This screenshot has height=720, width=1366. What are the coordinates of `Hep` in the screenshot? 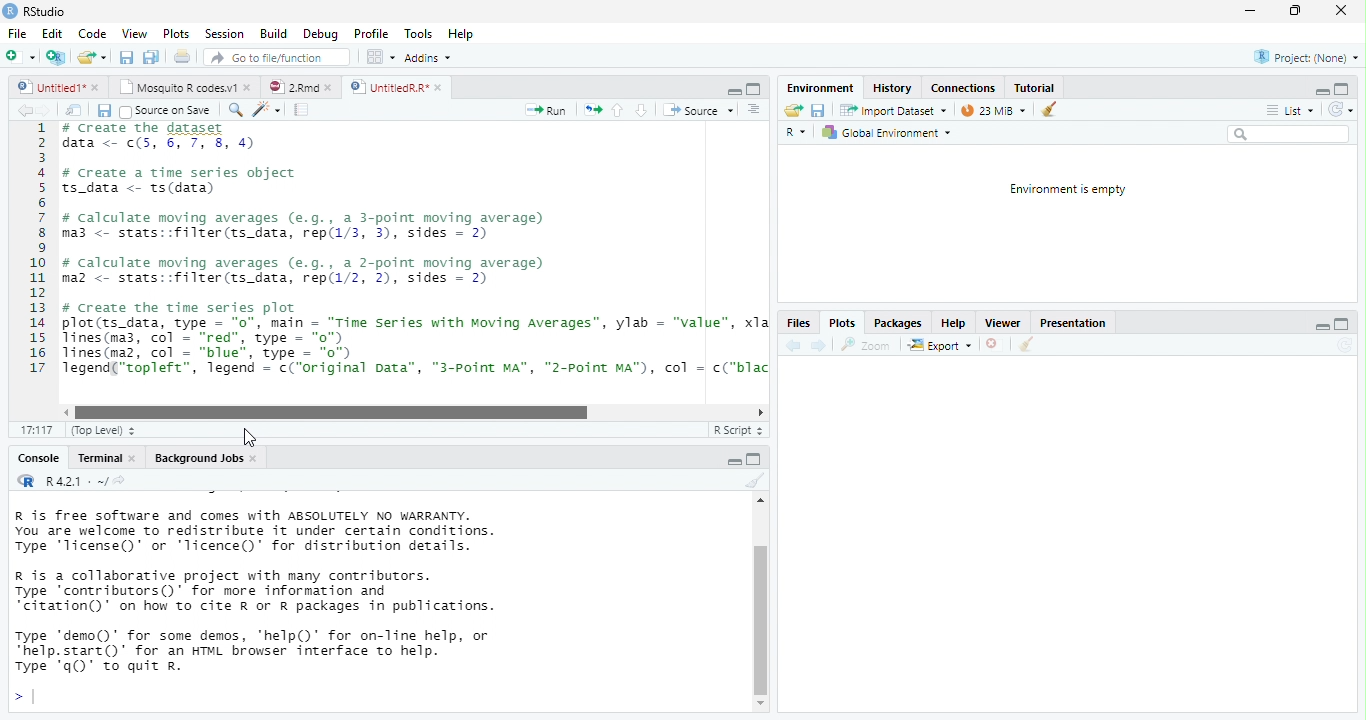 It's located at (460, 34).